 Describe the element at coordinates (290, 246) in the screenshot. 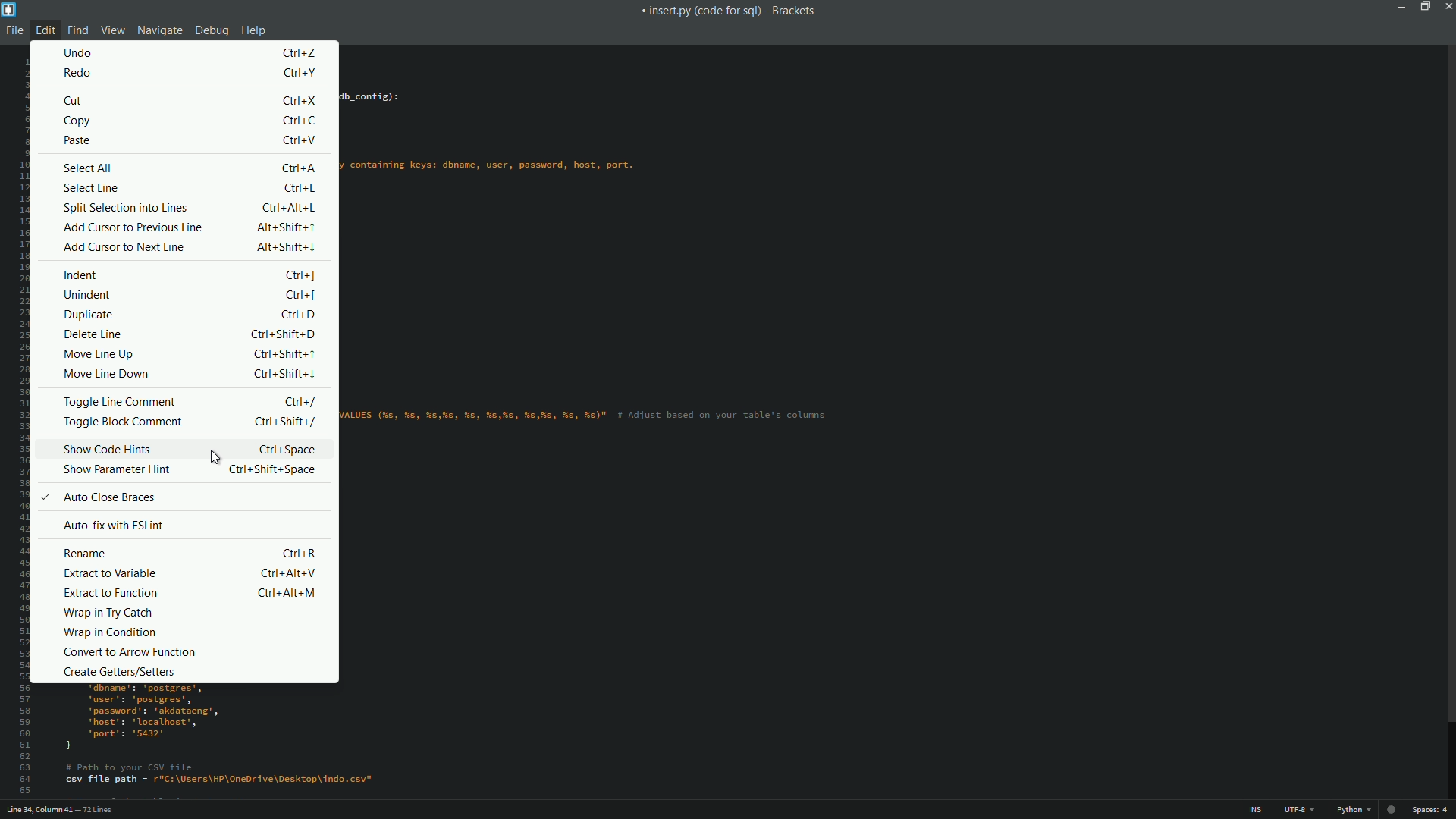

I see `keyboard shortcut` at that location.